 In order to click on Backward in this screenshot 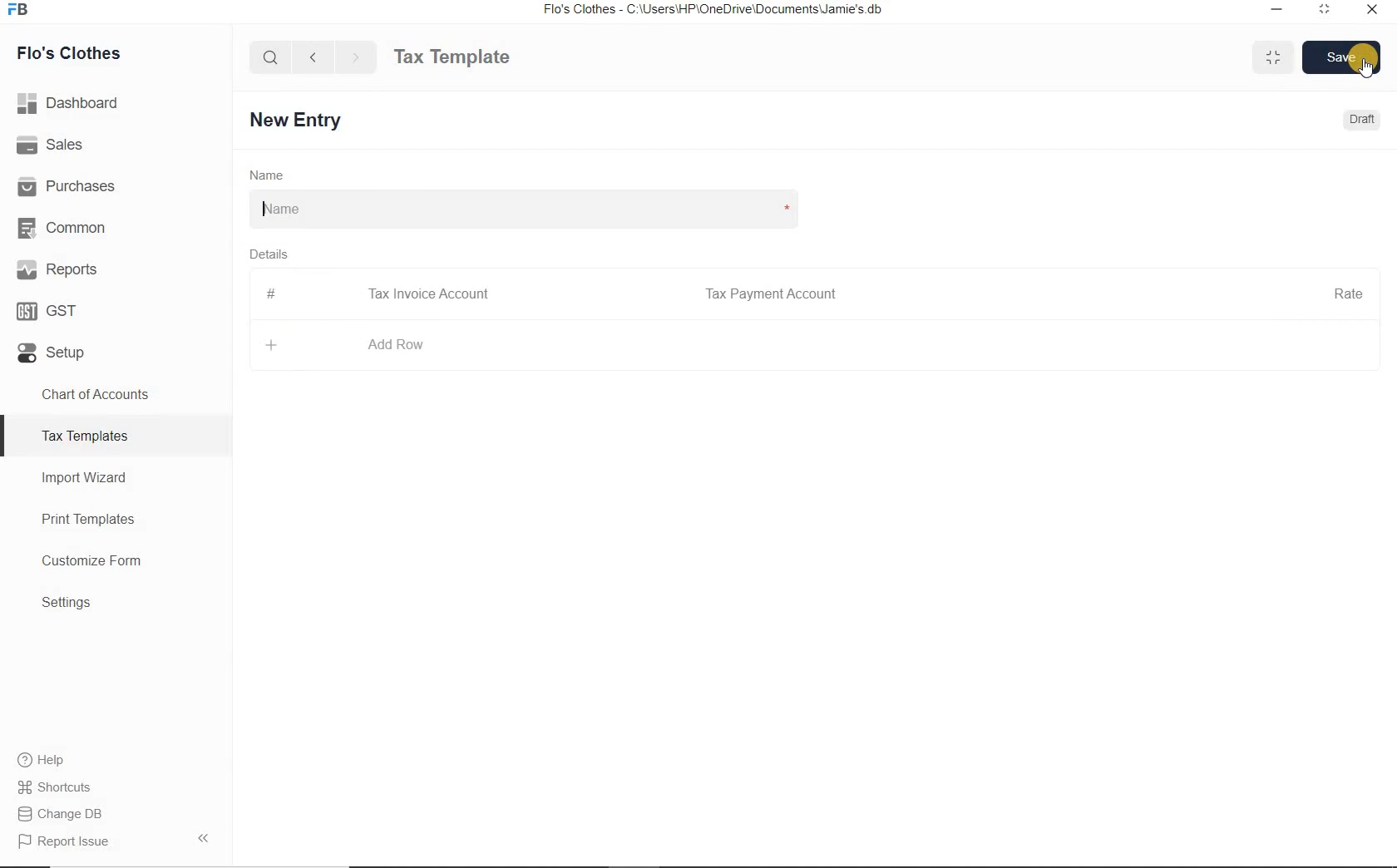, I will do `click(313, 56)`.